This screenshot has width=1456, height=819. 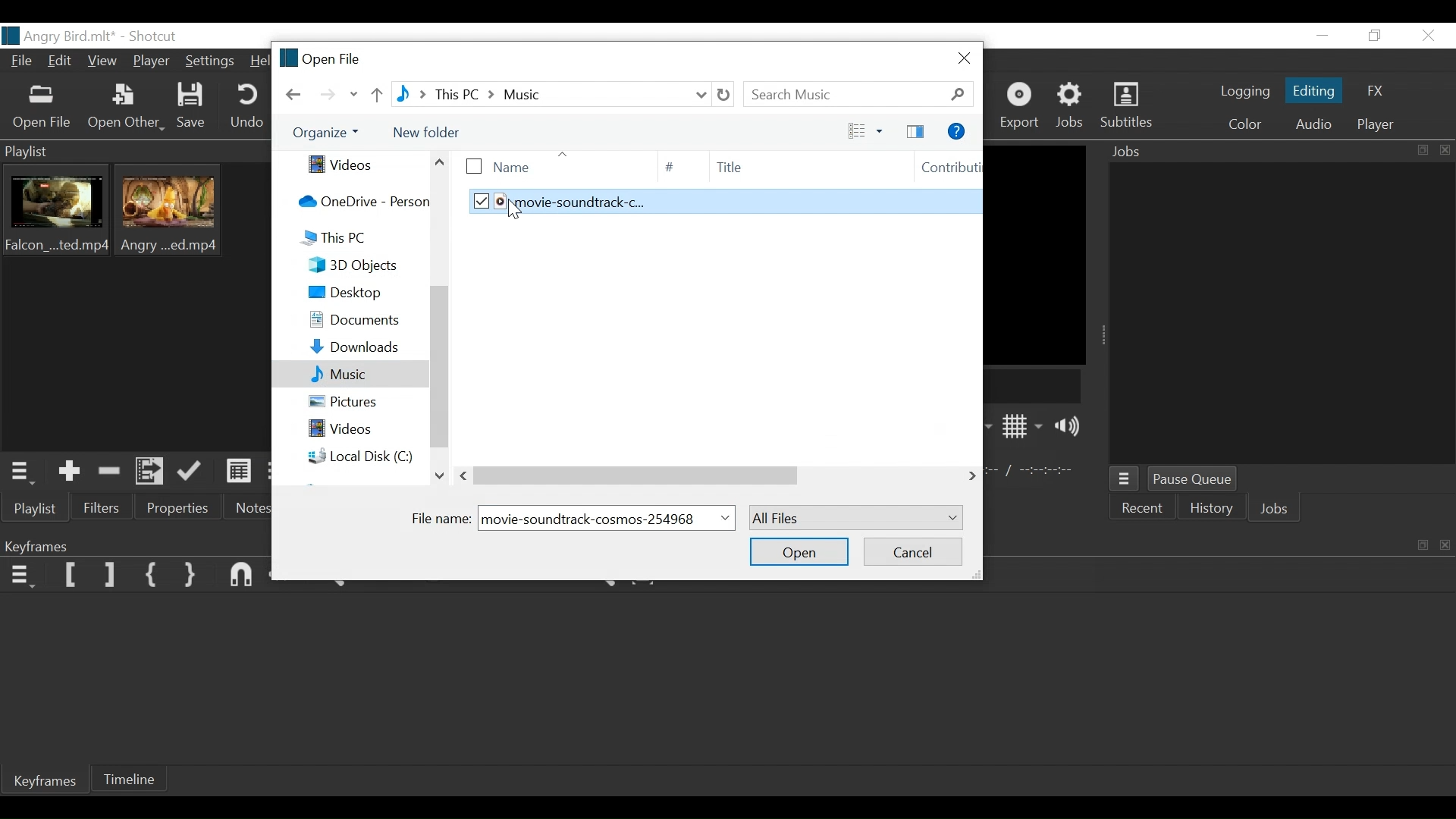 I want to click on History, so click(x=1214, y=510).